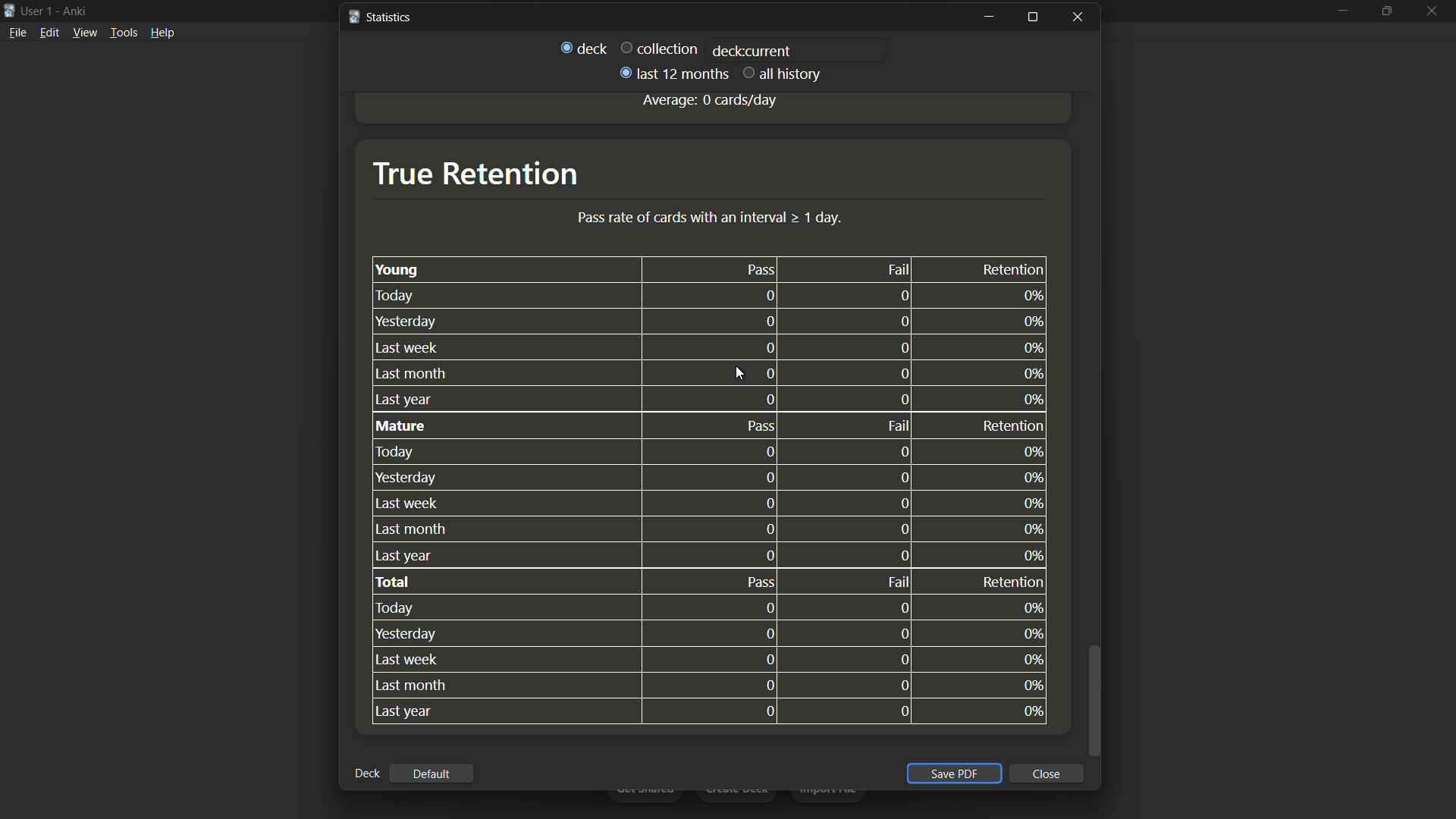 This screenshot has width=1456, height=819. Describe the element at coordinates (366, 774) in the screenshot. I see `deck` at that location.